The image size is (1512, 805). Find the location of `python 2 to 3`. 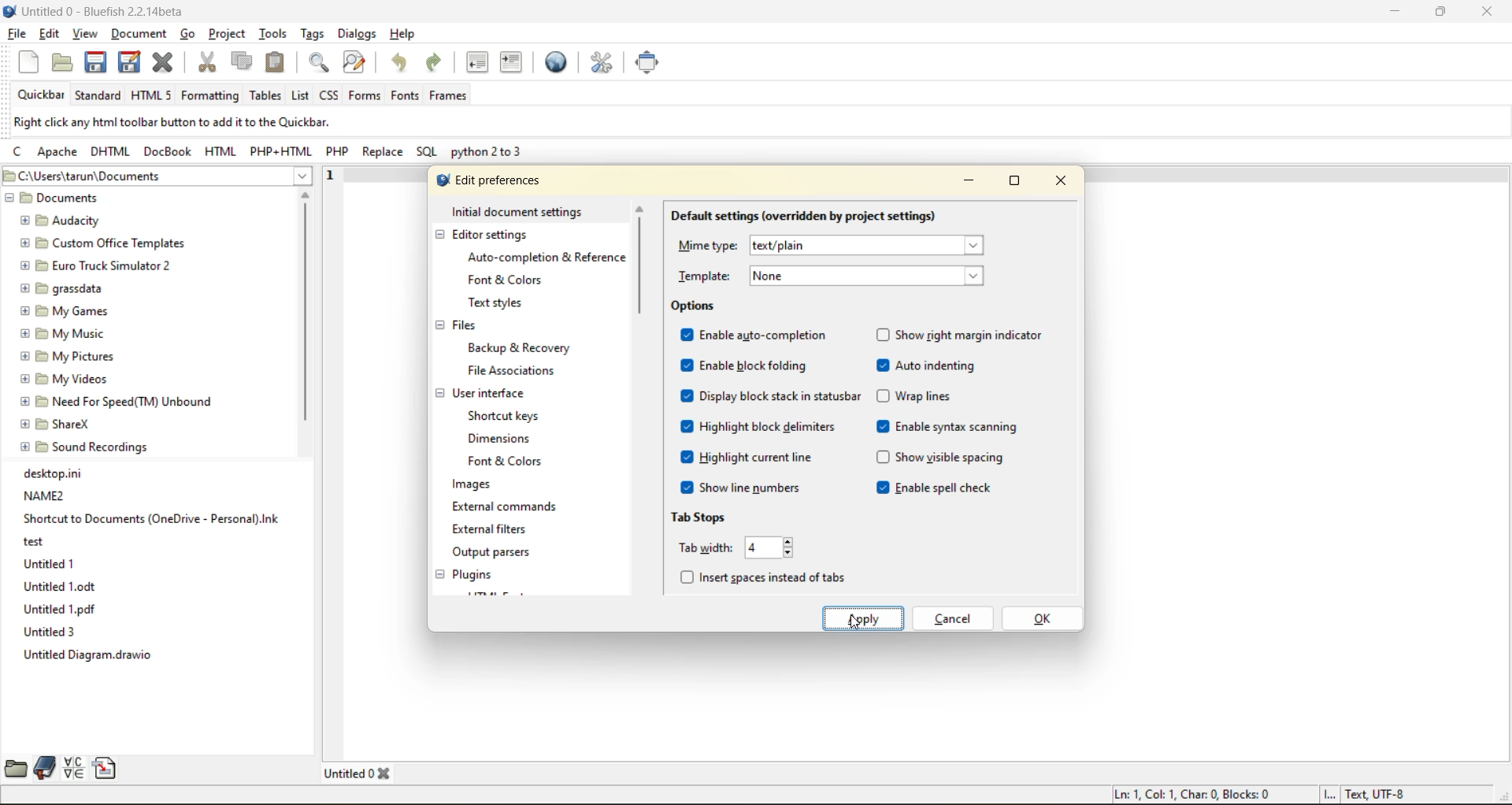

python 2 to 3 is located at coordinates (489, 154).